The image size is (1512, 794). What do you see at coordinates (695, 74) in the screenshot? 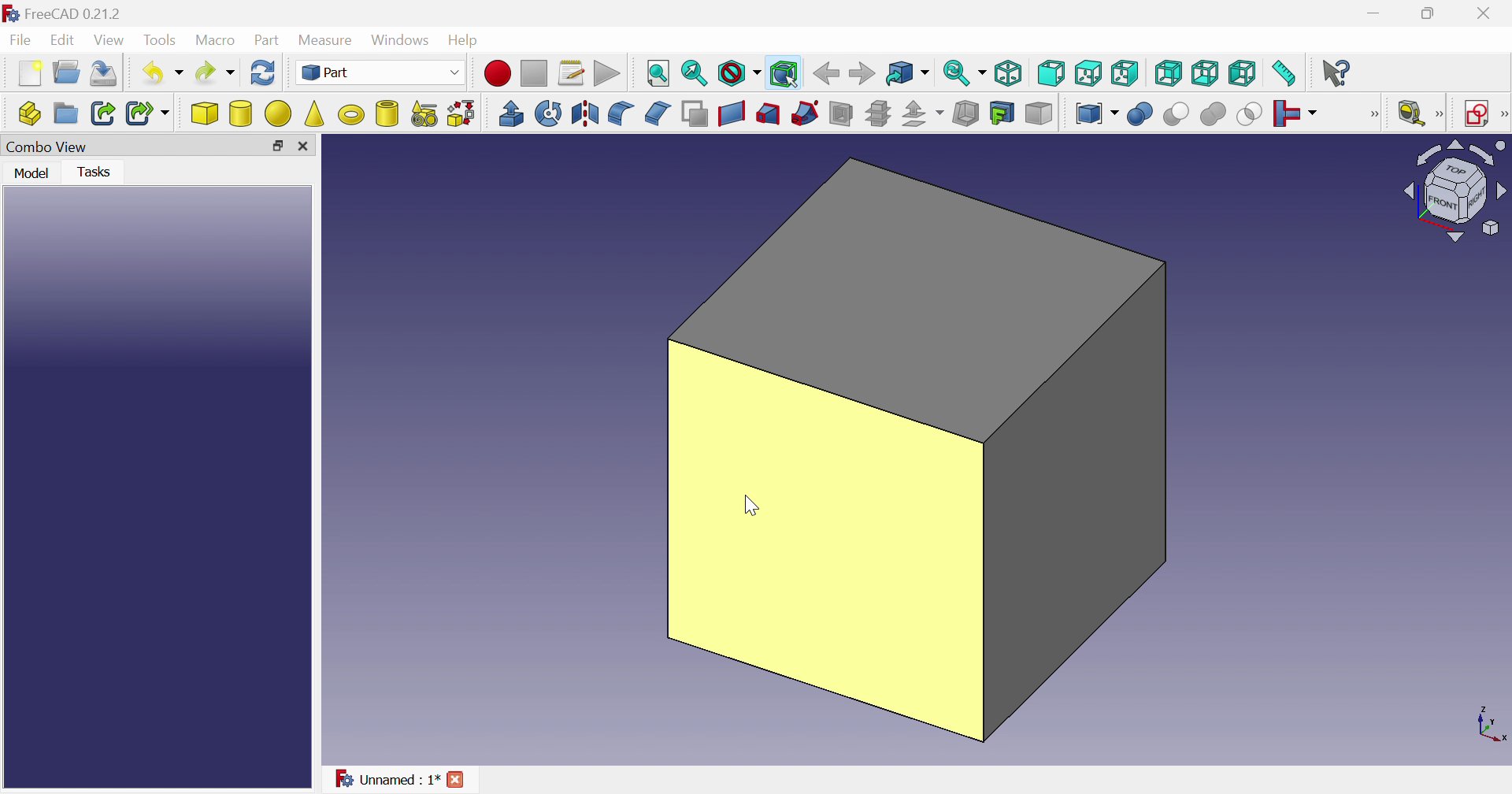
I see `Fit selection` at bounding box center [695, 74].